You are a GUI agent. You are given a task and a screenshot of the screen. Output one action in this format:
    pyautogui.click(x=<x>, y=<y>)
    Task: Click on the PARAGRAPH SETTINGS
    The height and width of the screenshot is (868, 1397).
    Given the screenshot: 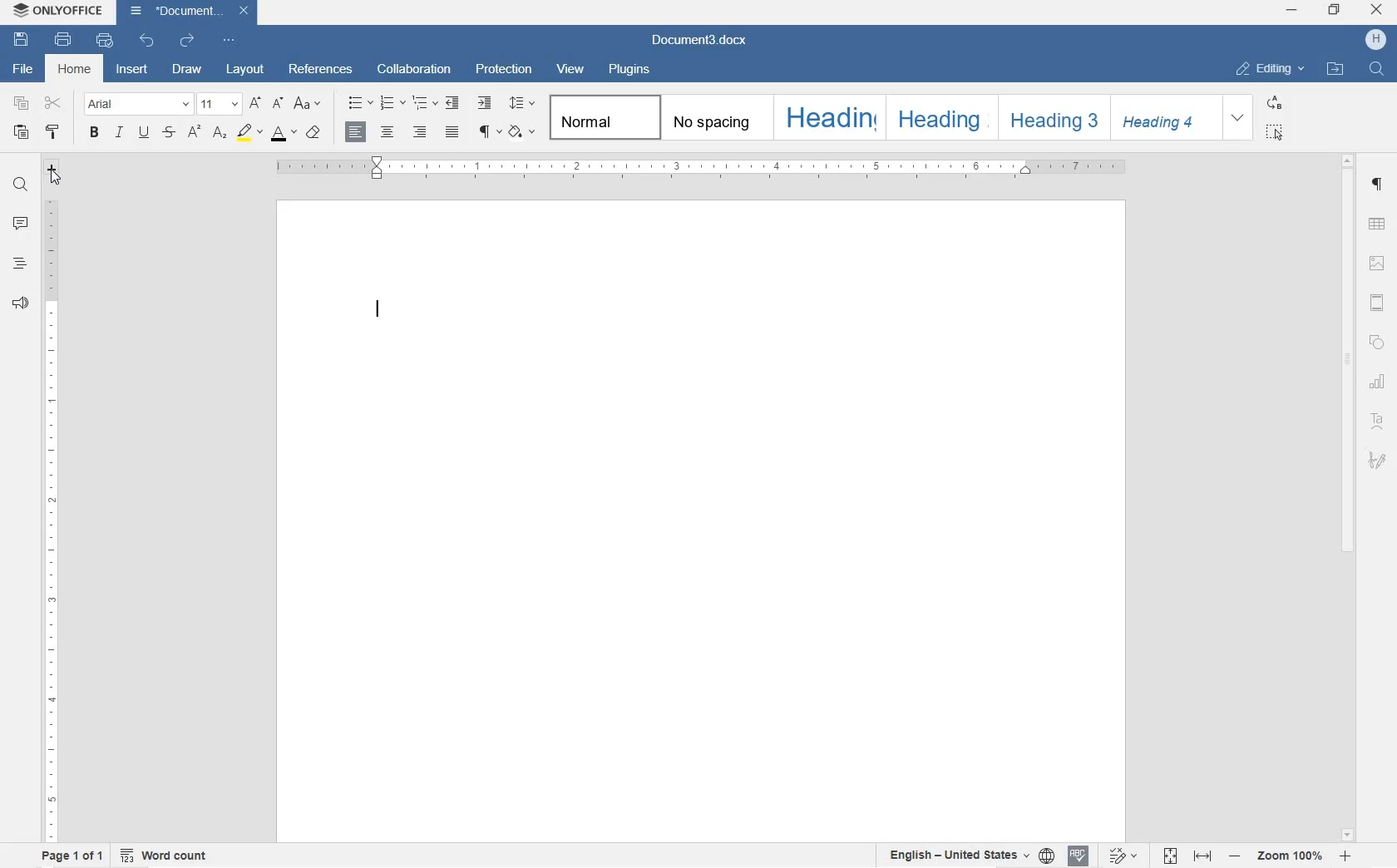 What is the action you would take?
    pyautogui.click(x=1379, y=184)
    